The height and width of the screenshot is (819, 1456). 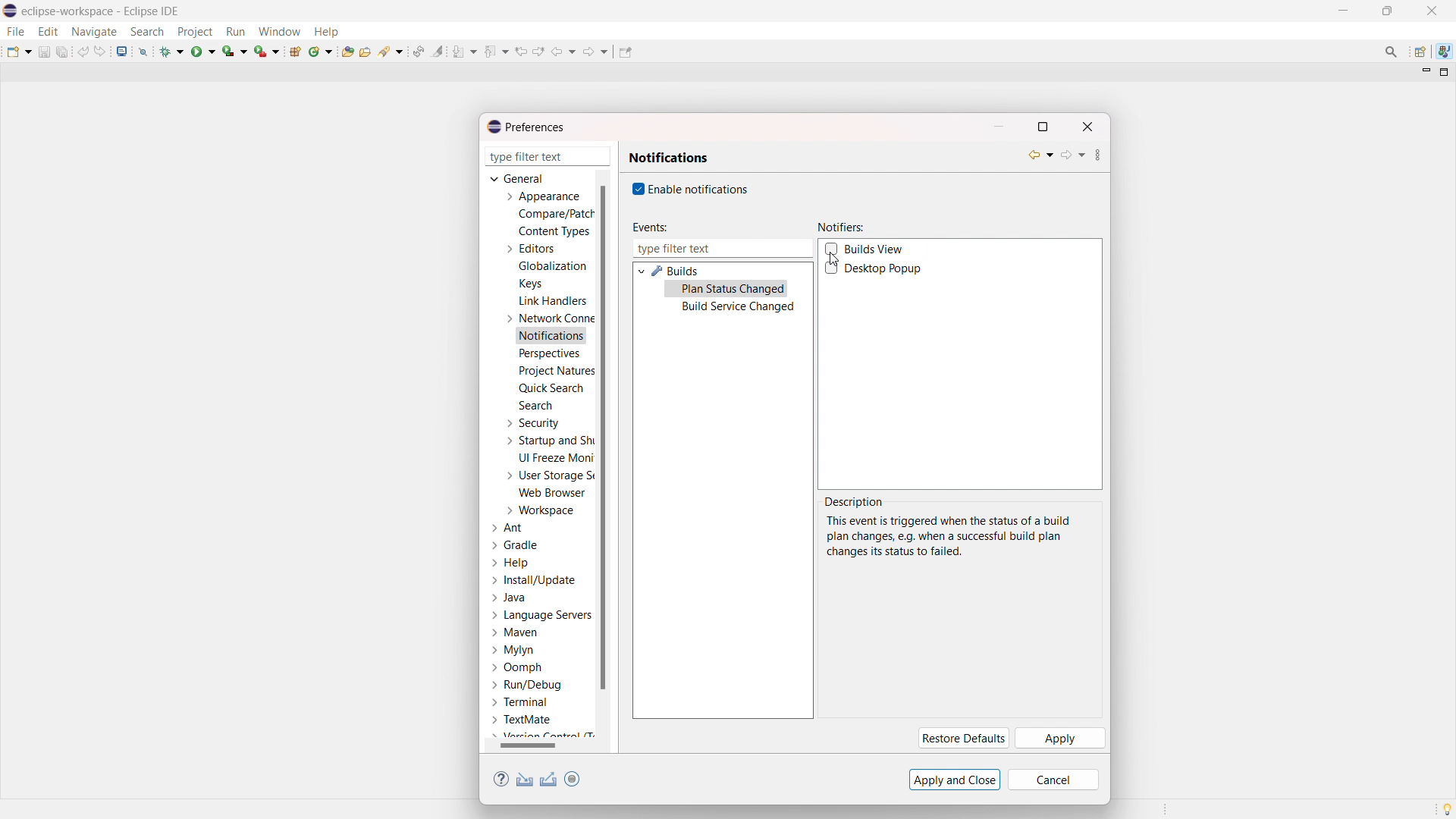 I want to click on enable notifications, so click(x=700, y=188).